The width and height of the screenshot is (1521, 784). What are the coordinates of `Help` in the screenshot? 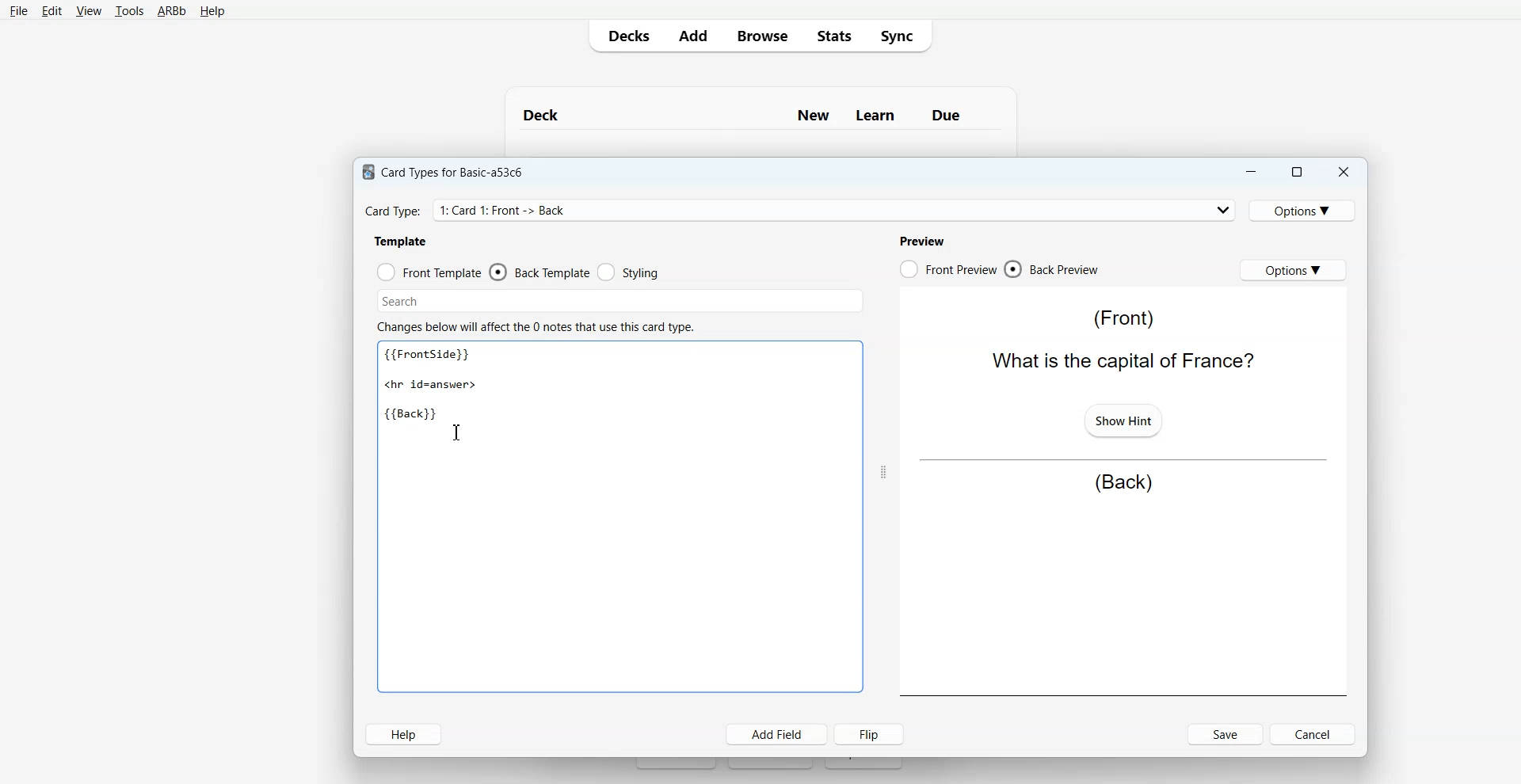 It's located at (403, 734).